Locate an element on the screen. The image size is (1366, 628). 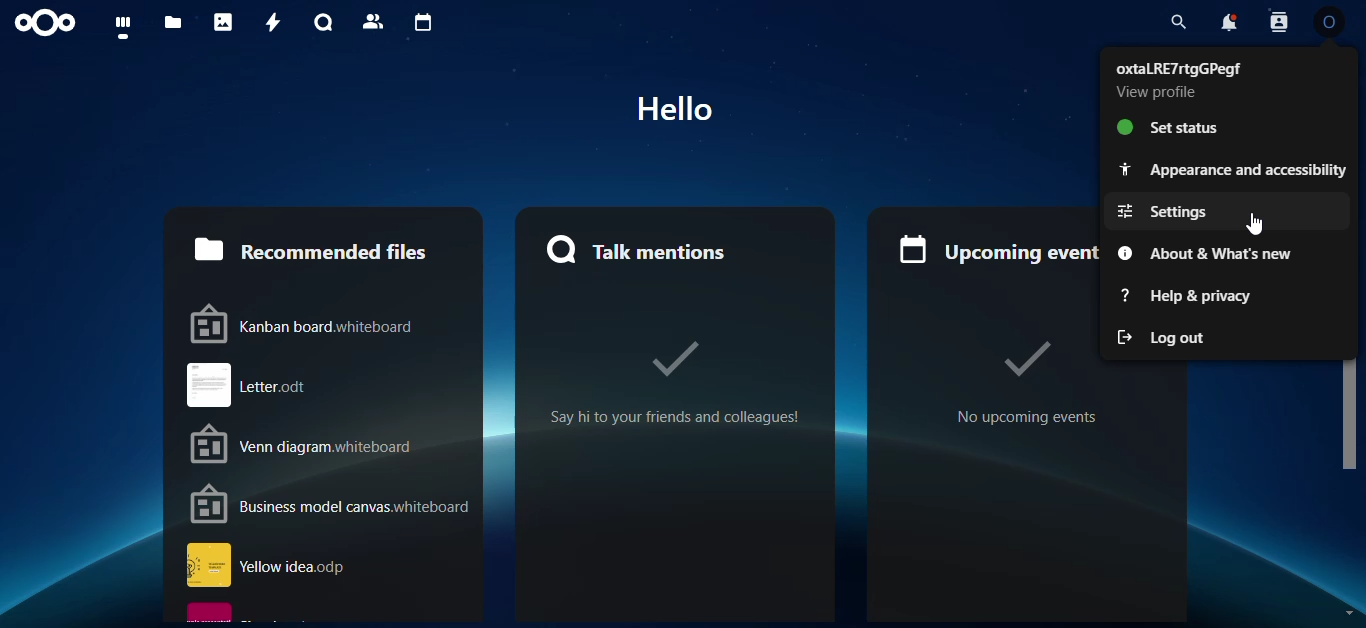
Cursor is located at coordinates (1253, 224).